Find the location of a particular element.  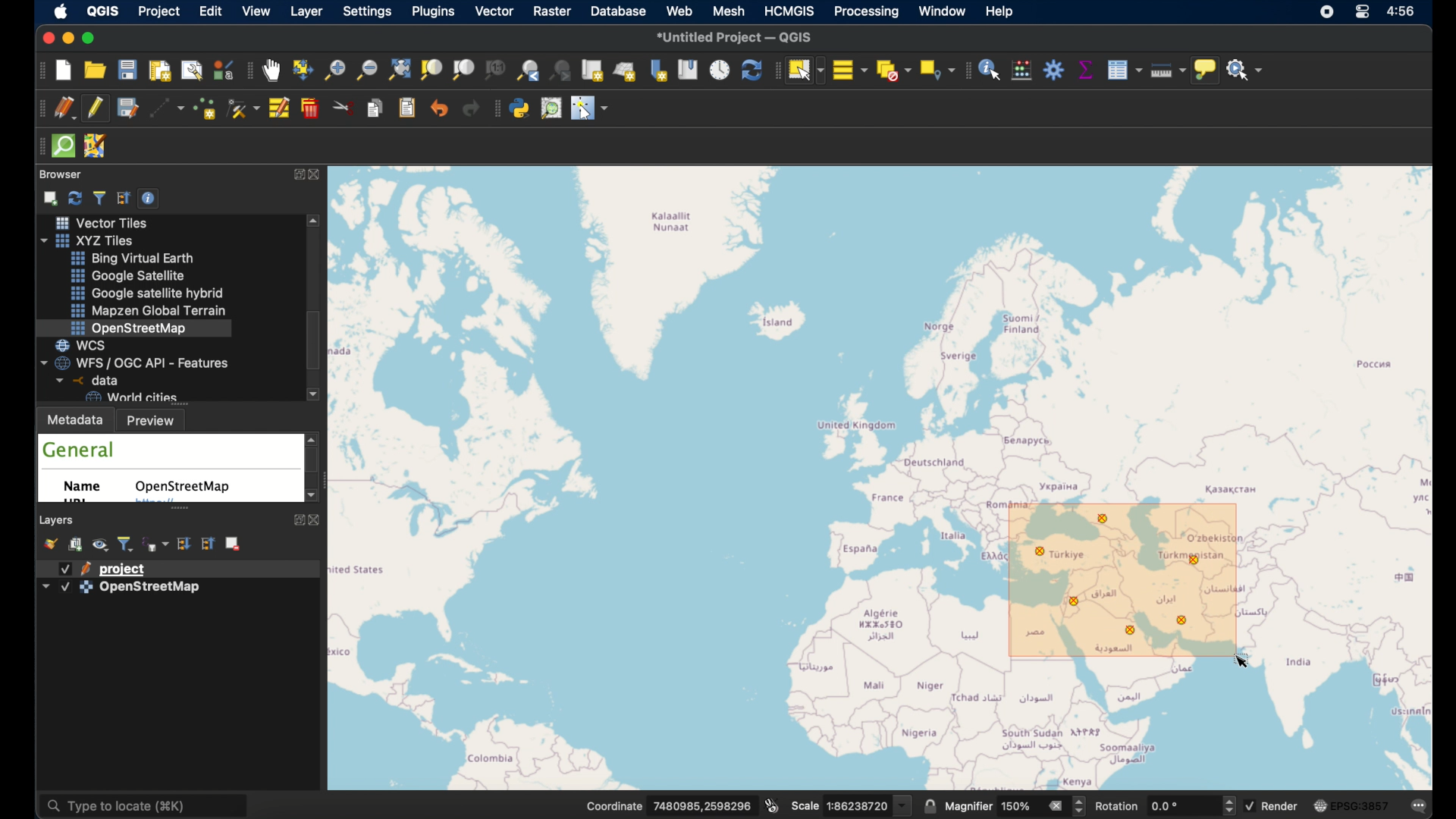

selected features is located at coordinates (1127, 577).